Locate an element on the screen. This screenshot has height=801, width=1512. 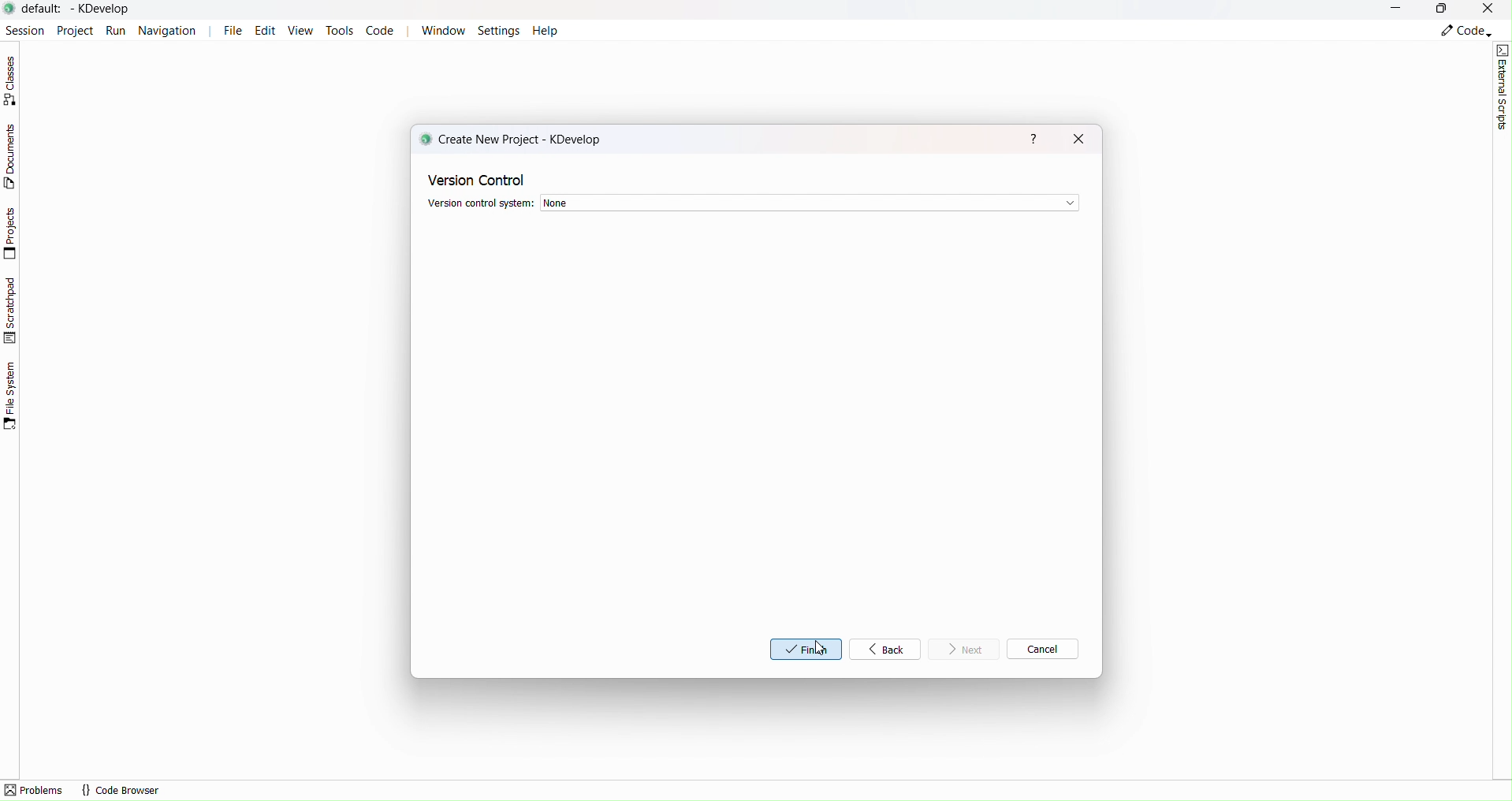
Classes is located at coordinates (15, 80).